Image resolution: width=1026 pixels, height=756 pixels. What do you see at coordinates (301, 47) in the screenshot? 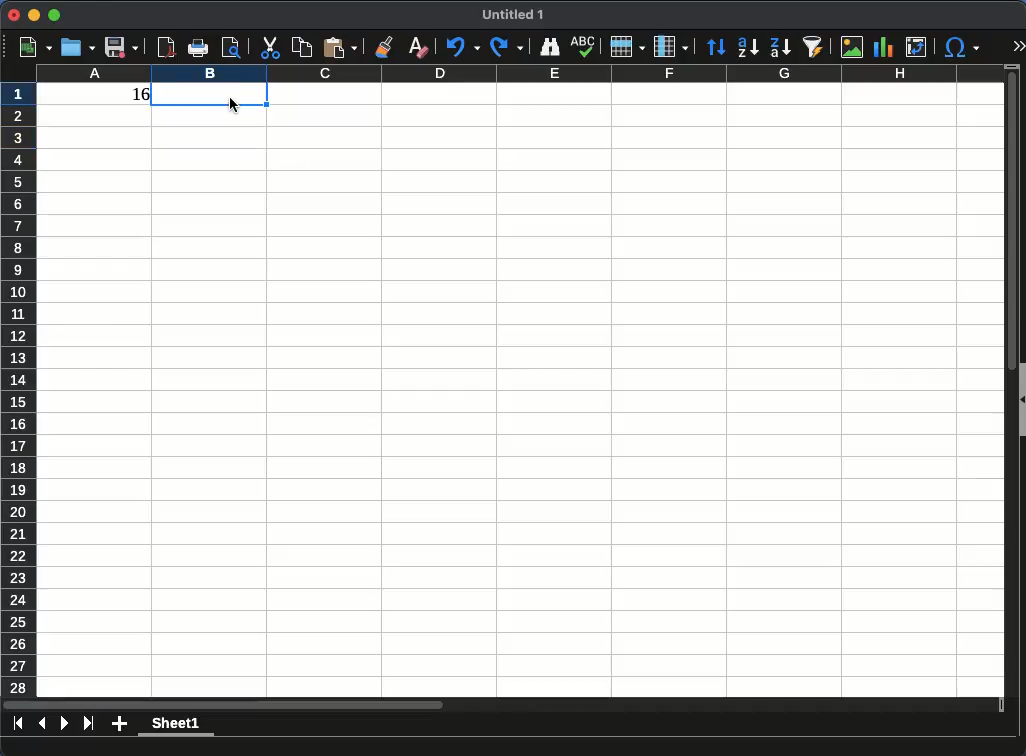
I see `copy` at bounding box center [301, 47].